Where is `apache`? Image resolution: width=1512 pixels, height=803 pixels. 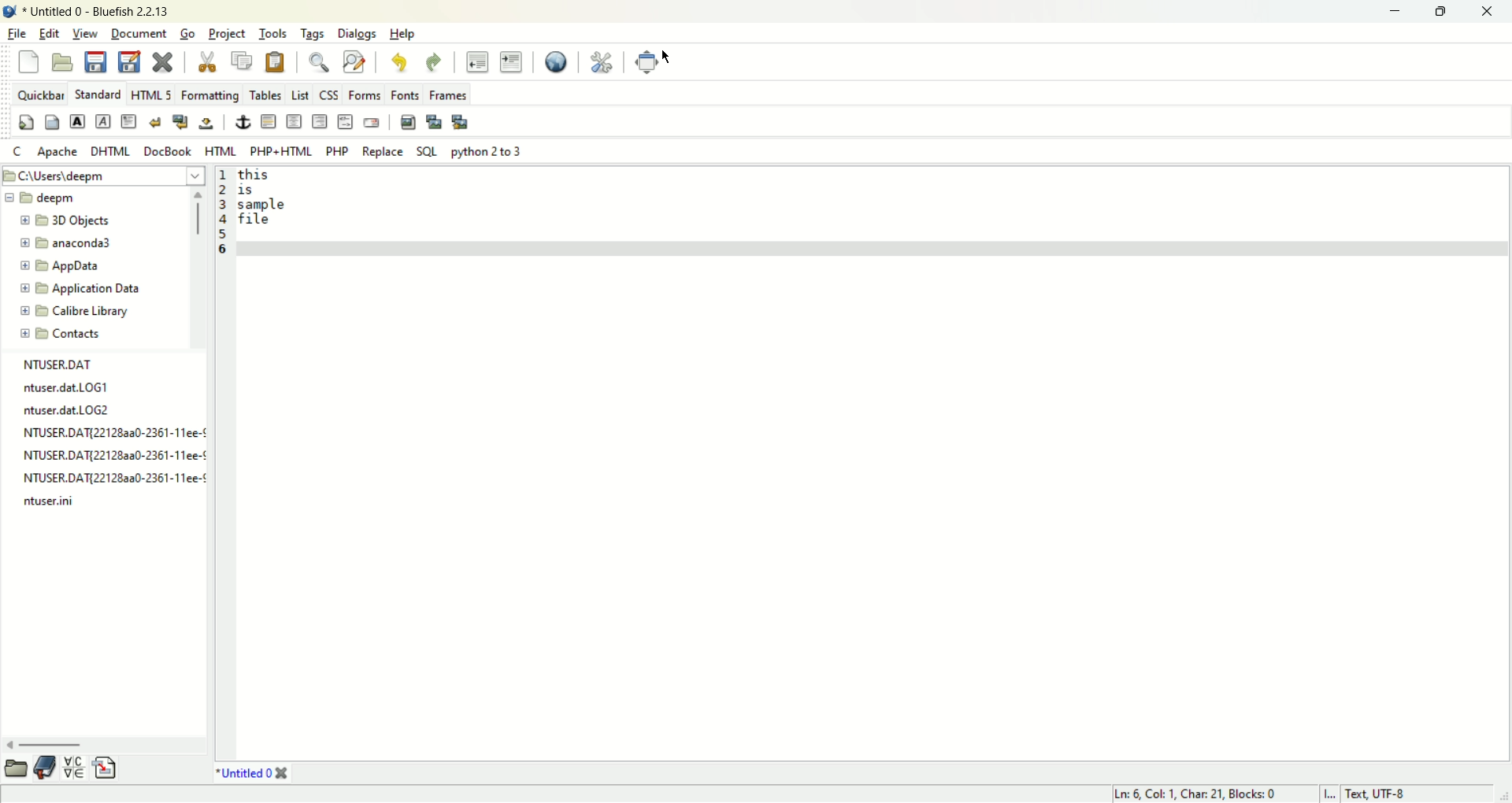 apache is located at coordinates (59, 152).